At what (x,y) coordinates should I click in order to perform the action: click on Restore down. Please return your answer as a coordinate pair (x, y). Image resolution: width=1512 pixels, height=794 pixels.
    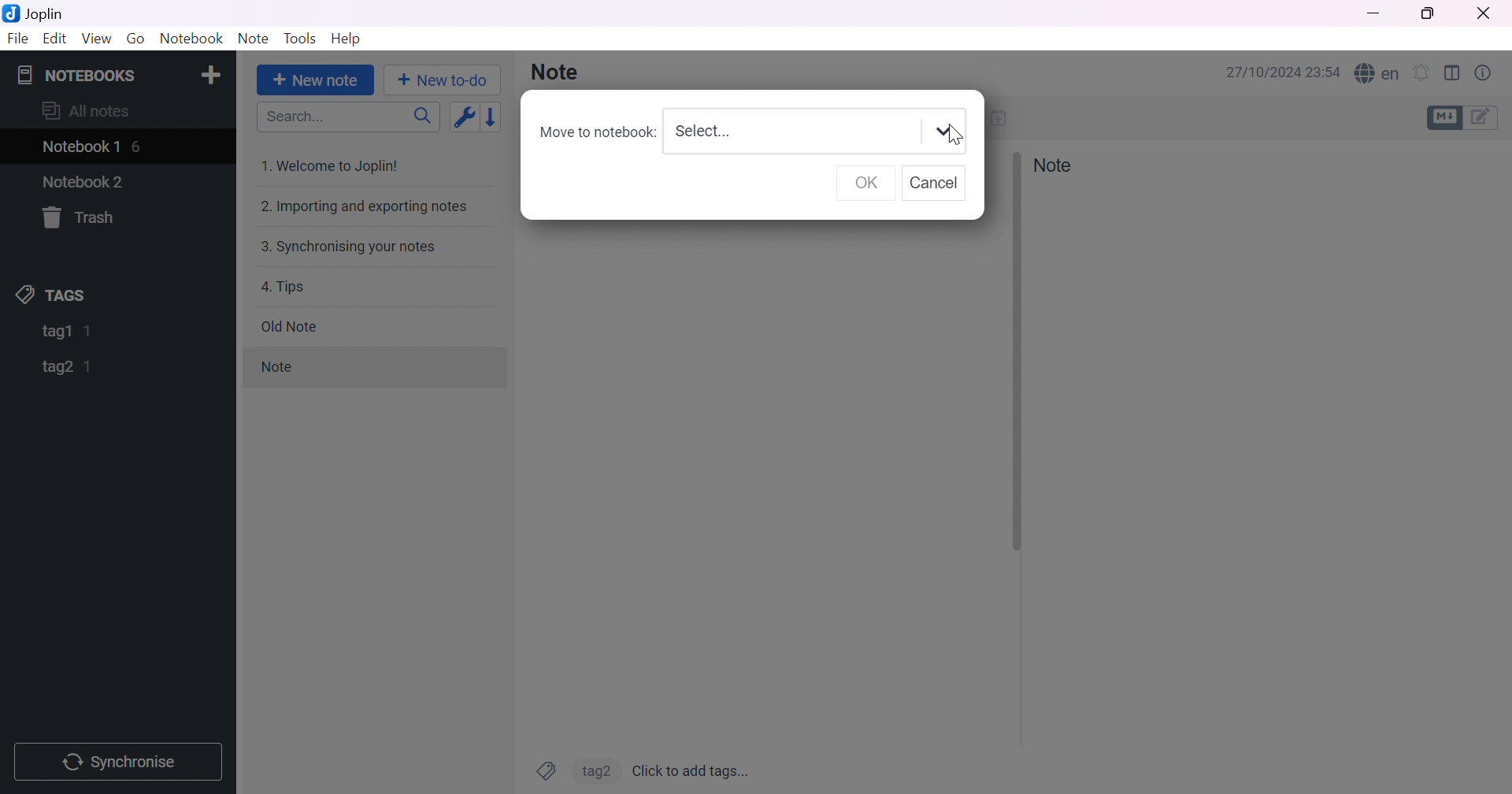
    Looking at the image, I should click on (1429, 15).